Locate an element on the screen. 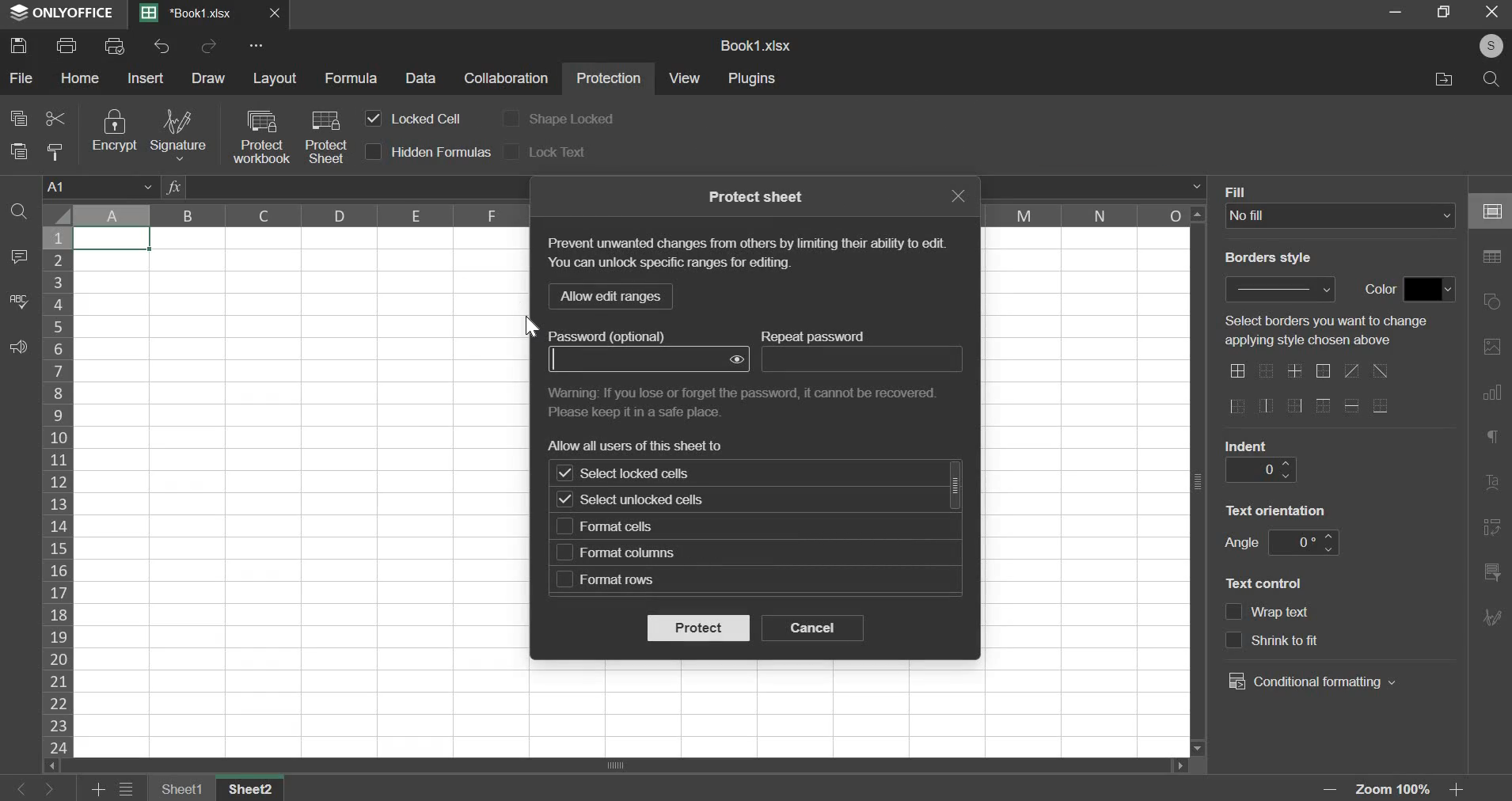 Image resolution: width=1512 pixels, height=801 pixels. Zoom 100% is located at coordinates (1398, 790).